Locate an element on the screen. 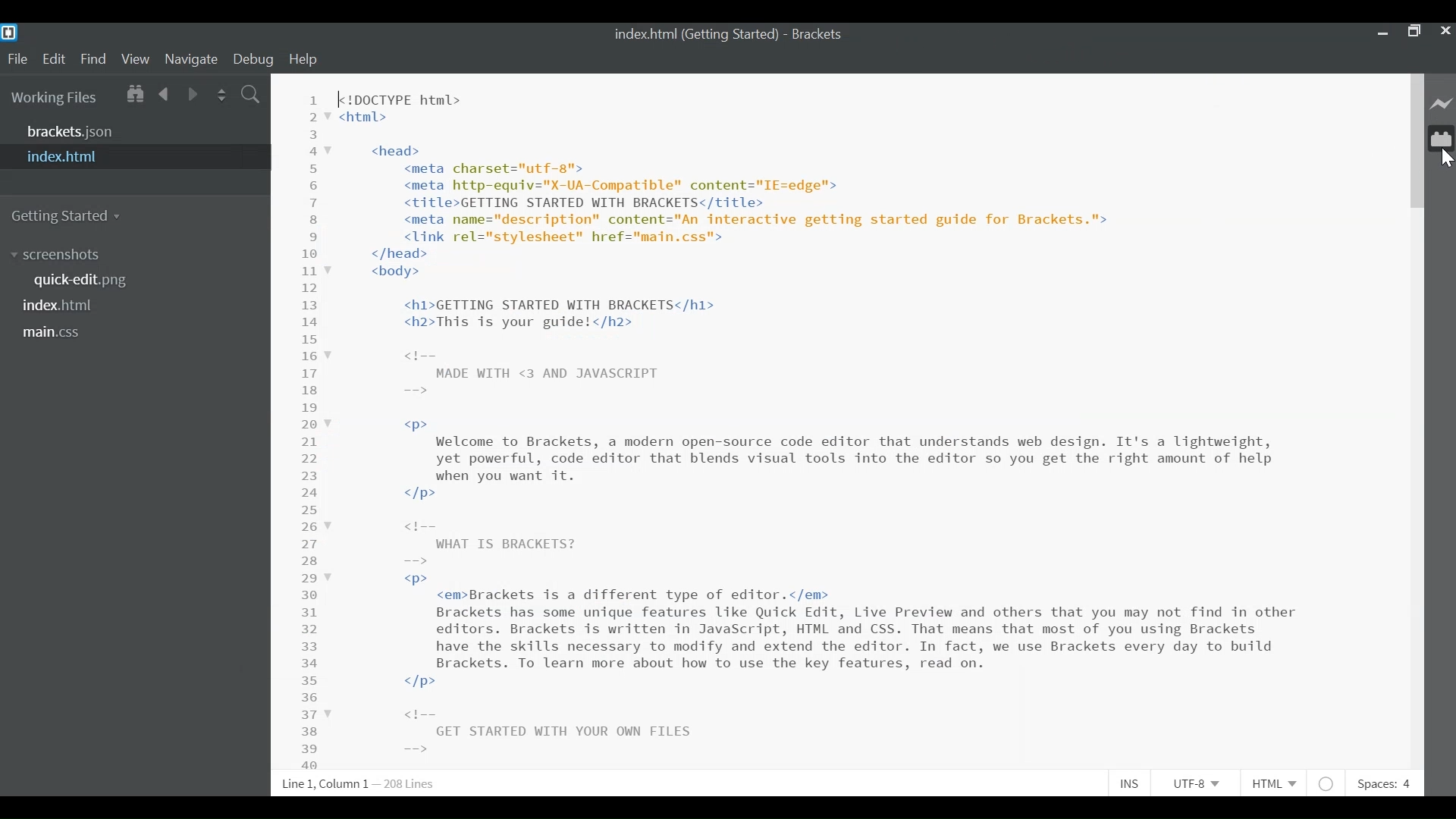  Spaces is located at coordinates (1385, 782).